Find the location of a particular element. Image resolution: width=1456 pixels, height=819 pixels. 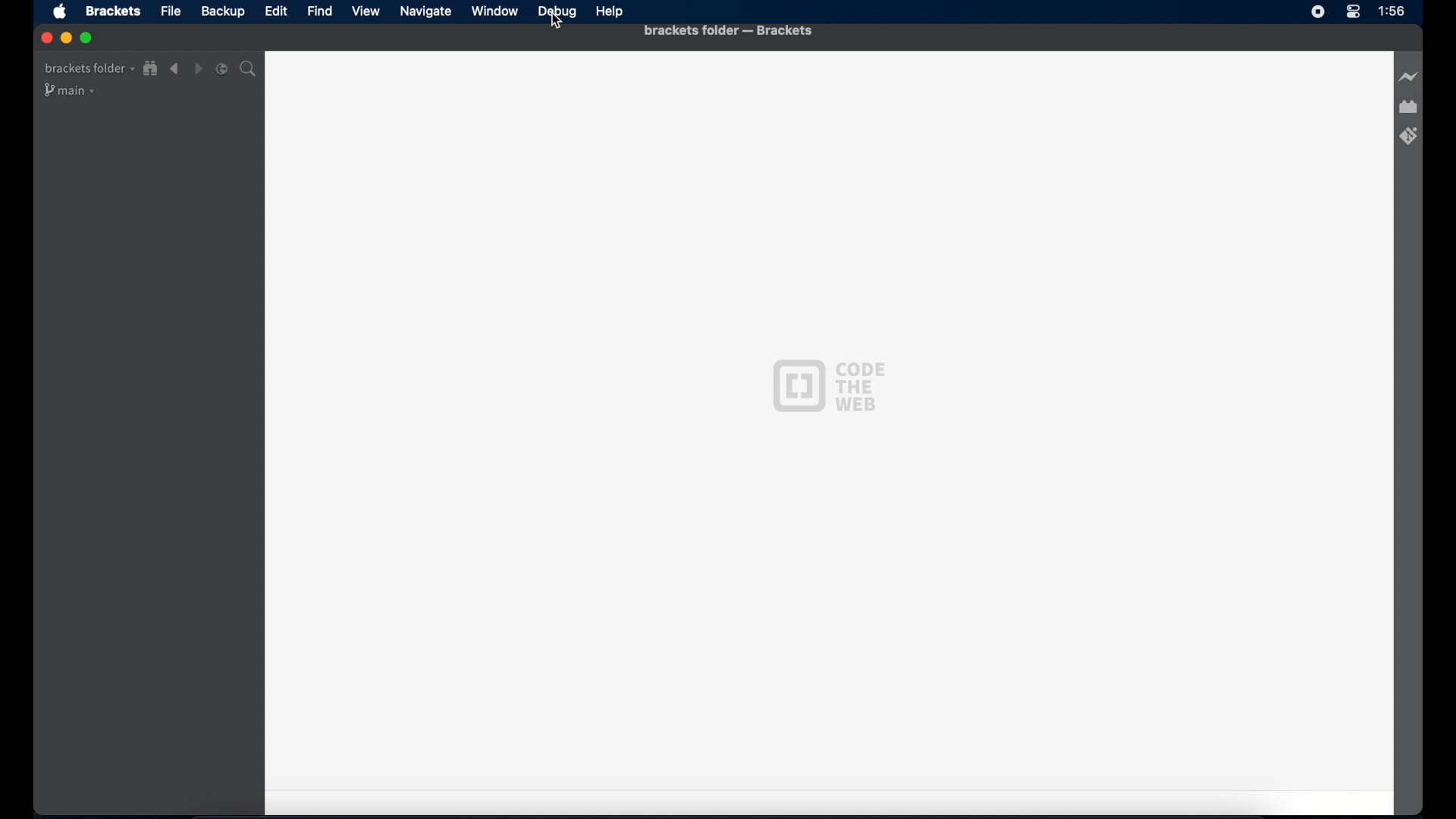

navigate forward is located at coordinates (198, 69).